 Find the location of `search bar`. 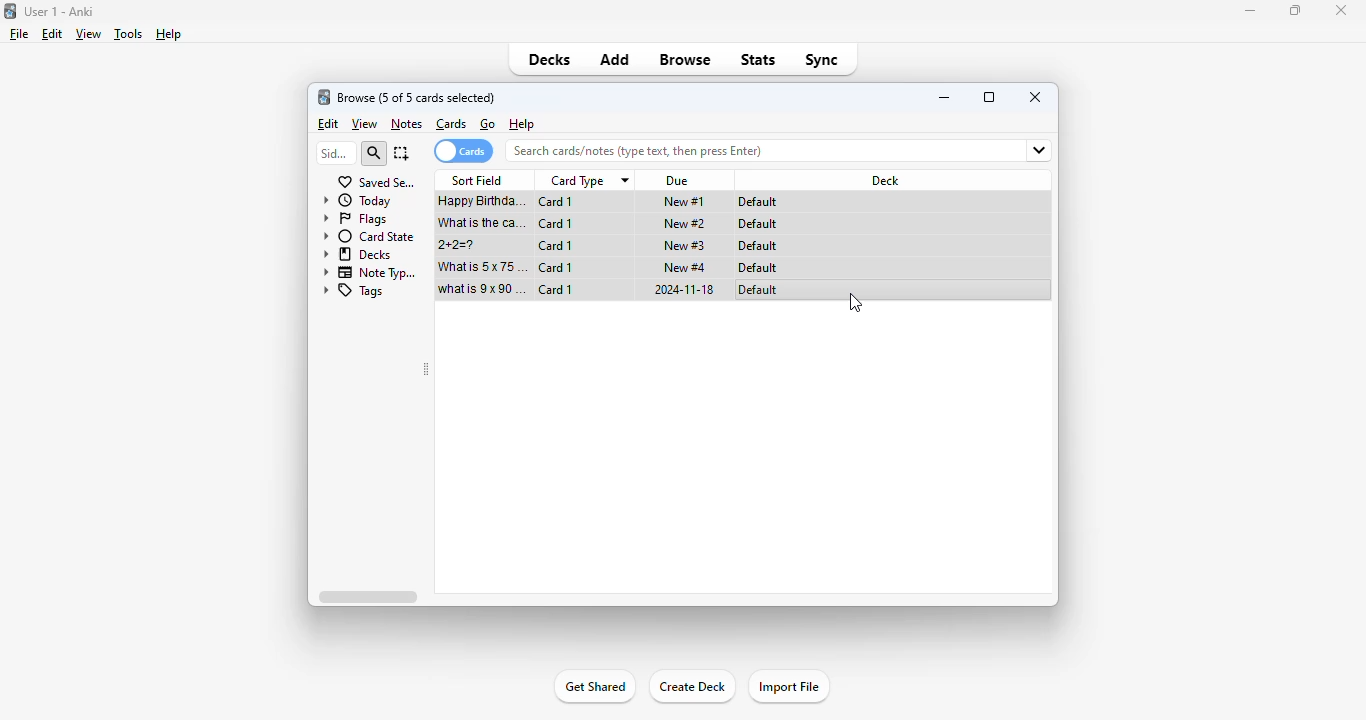

search bar is located at coordinates (739, 150).